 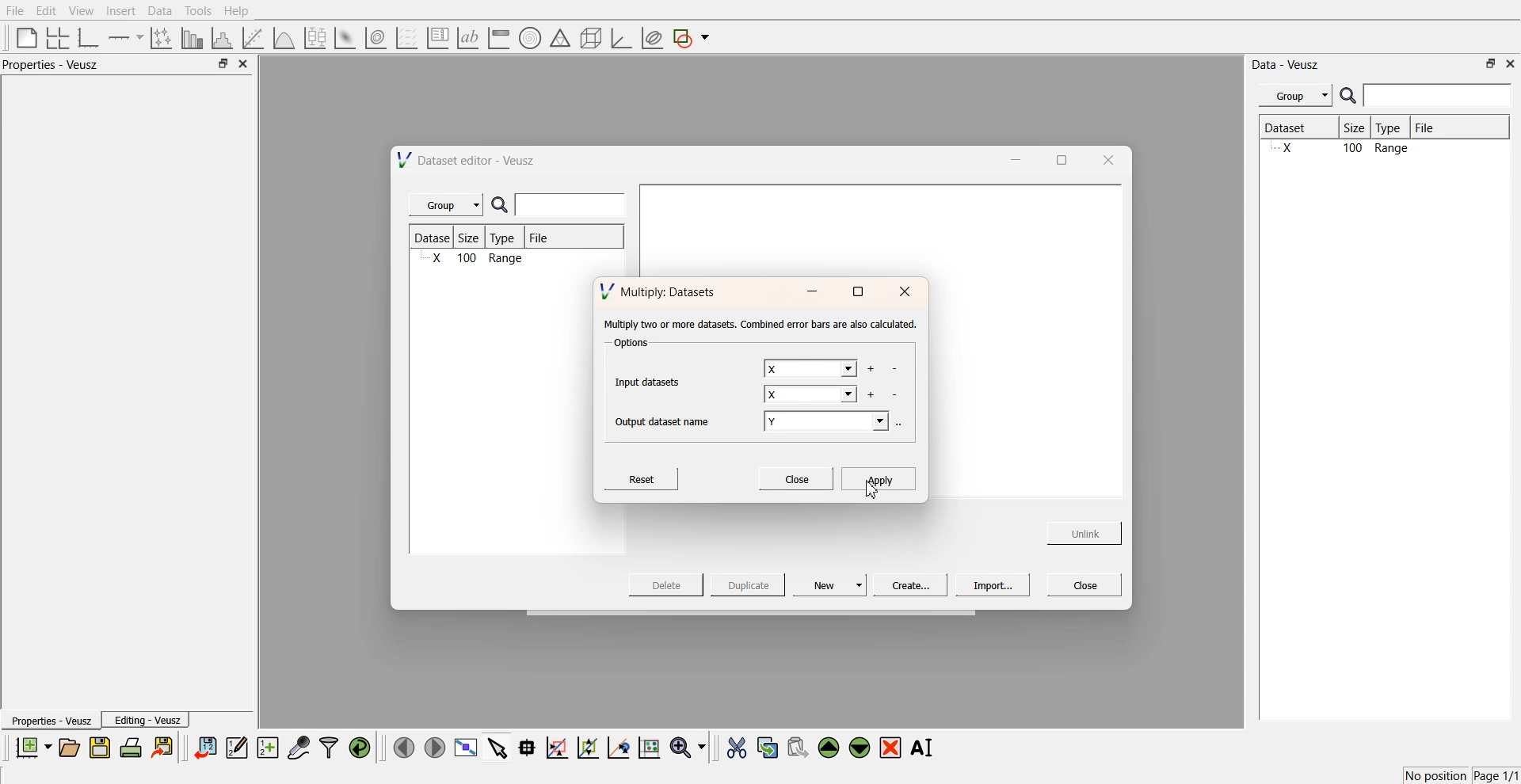 I want to click on Type, so click(x=507, y=238).